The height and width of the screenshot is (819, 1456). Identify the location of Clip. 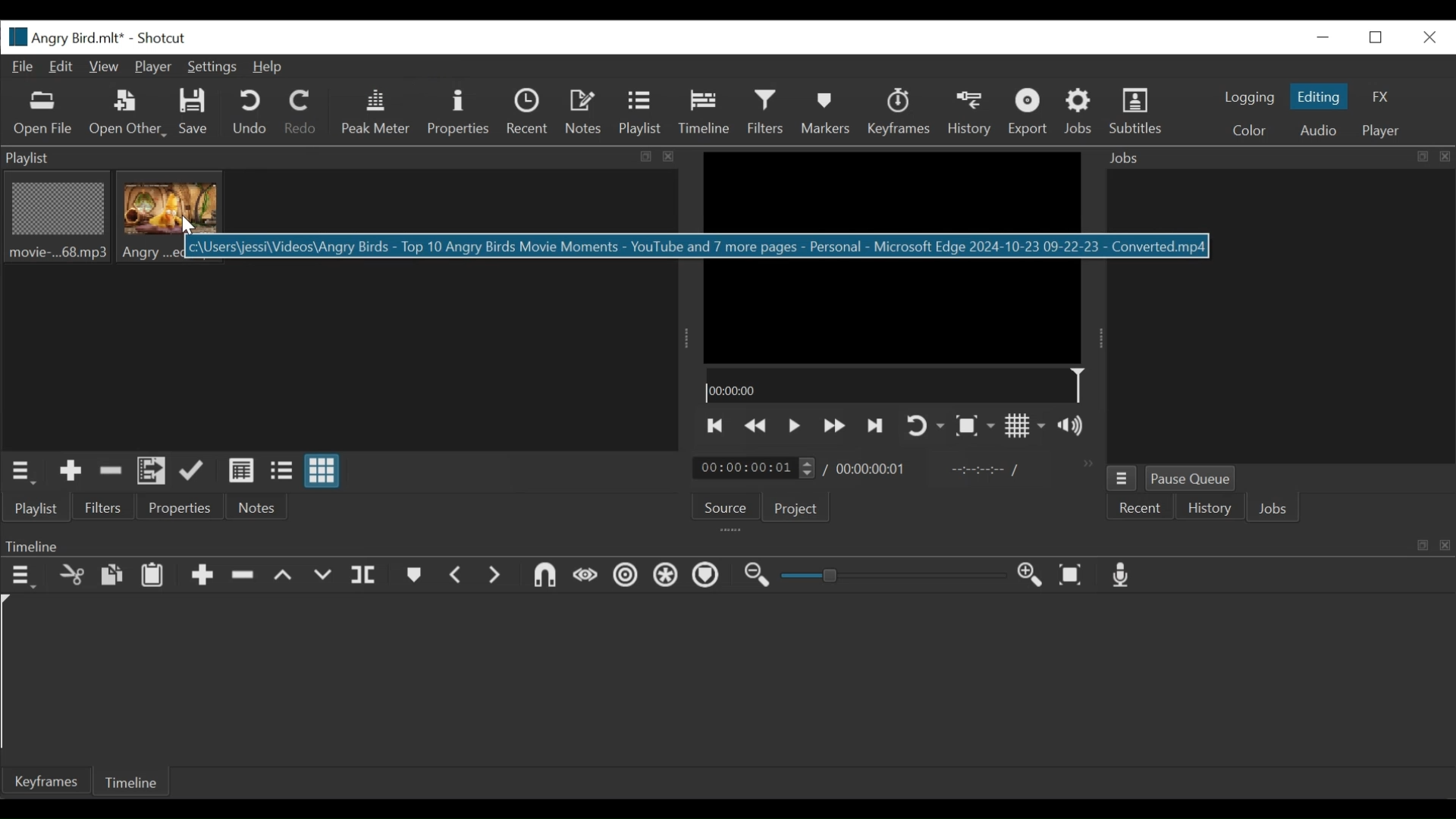
(171, 218).